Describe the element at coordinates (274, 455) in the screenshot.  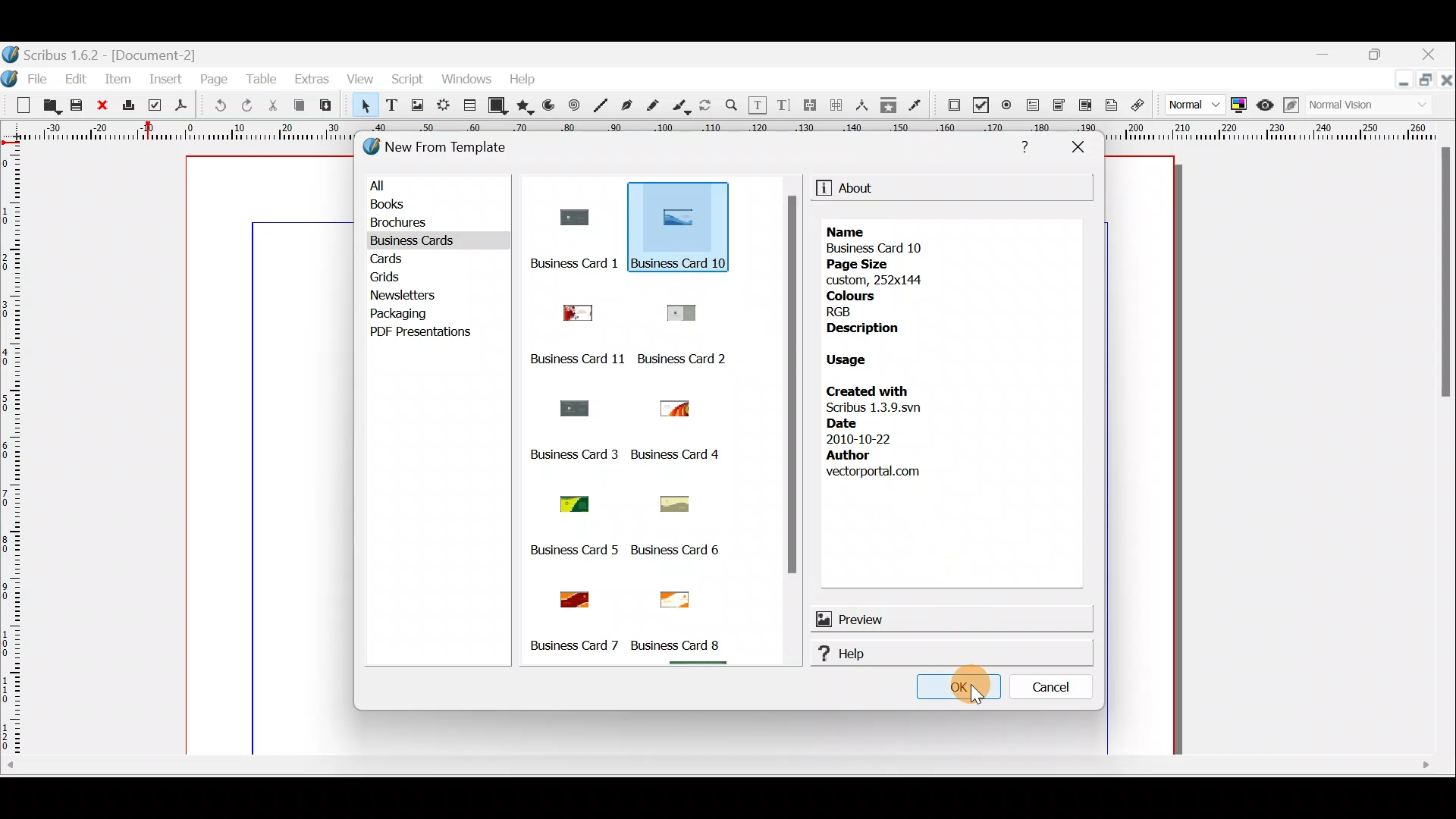
I see `Canvas` at that location.